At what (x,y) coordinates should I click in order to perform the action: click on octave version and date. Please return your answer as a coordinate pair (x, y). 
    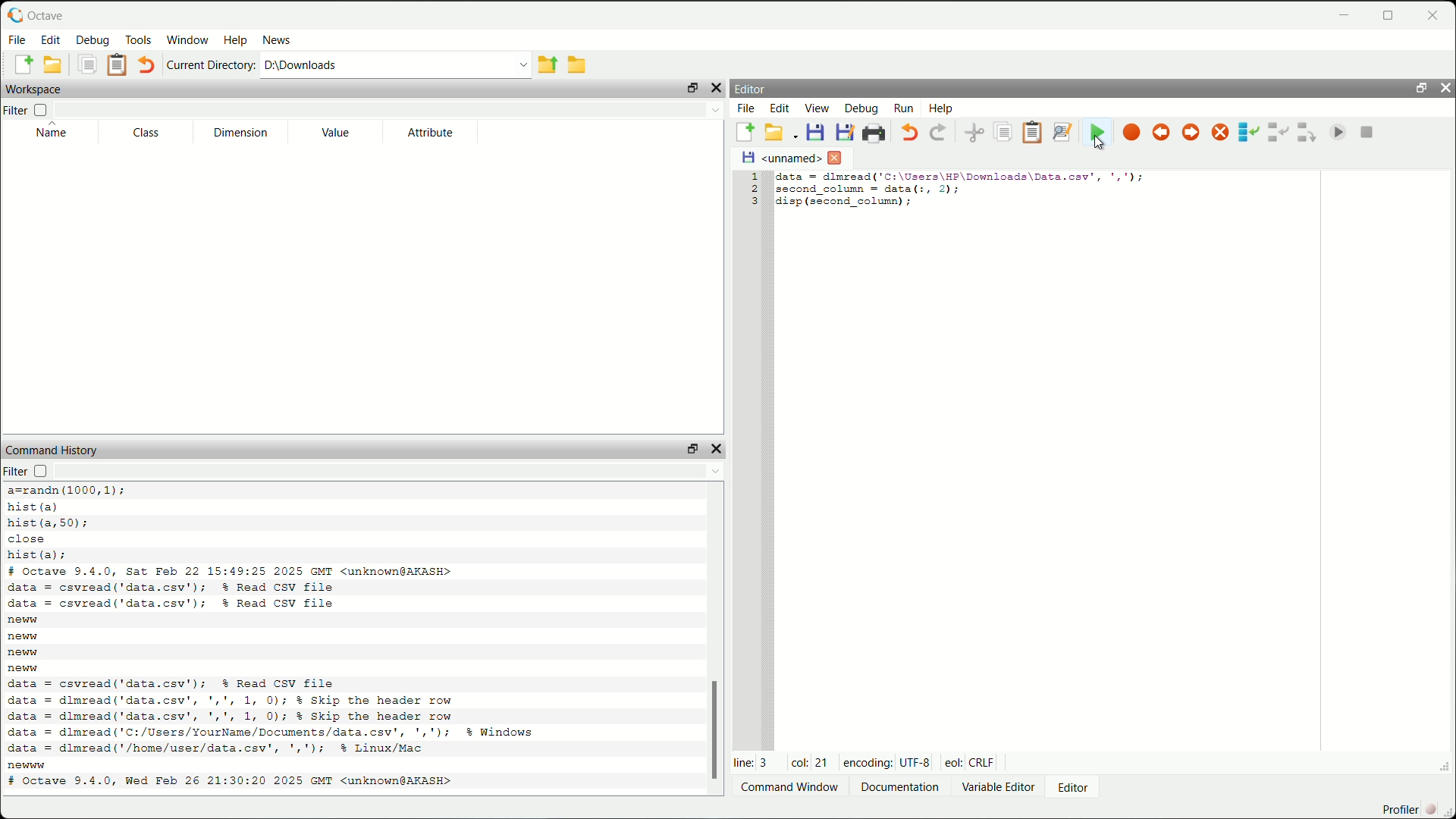
    Looking at the image, I should click on (296, 570).